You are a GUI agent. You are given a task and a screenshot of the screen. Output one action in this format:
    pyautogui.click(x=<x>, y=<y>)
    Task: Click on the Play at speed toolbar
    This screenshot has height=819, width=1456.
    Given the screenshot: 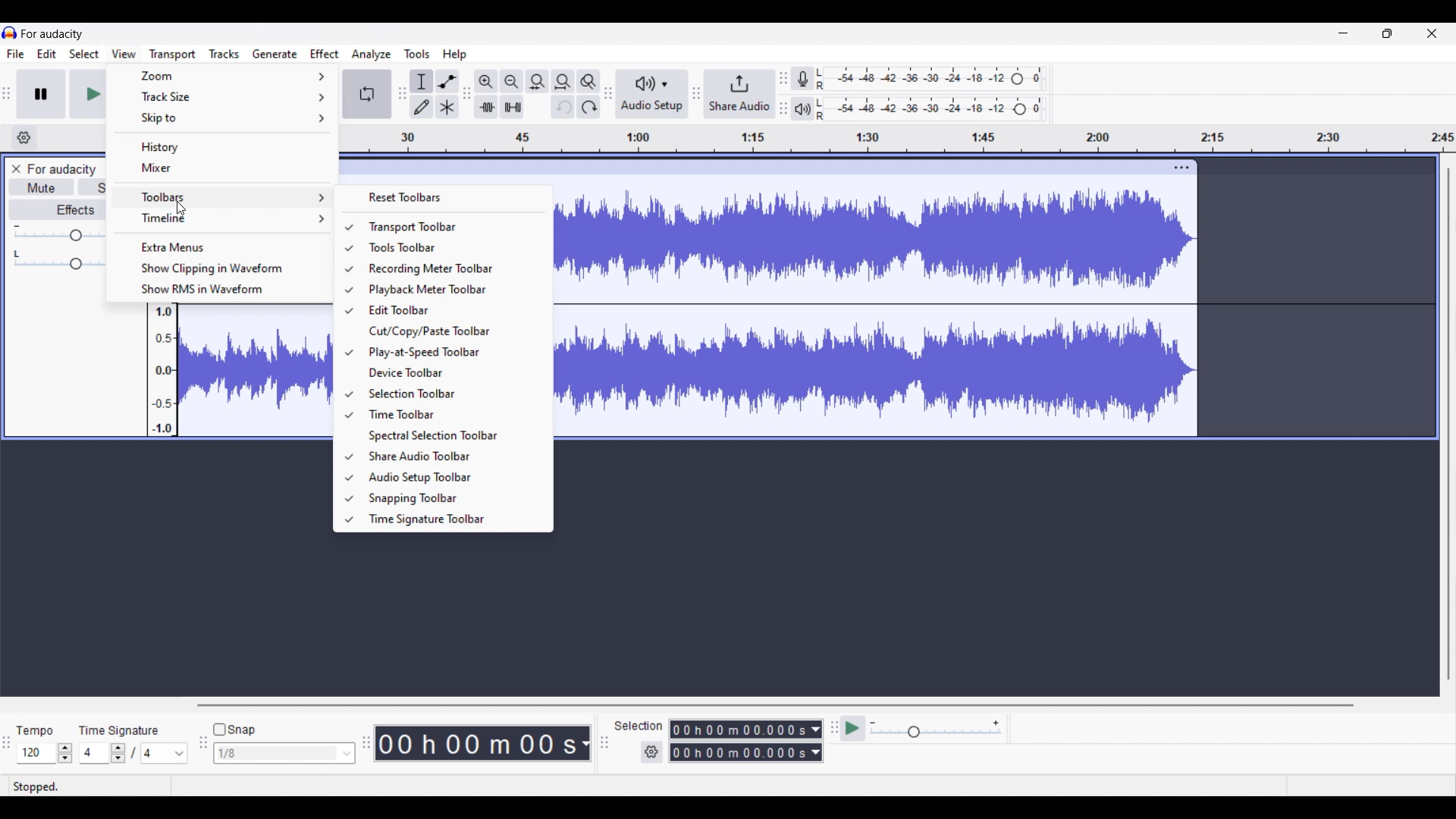 What is the action you would take?
    pyautogui.click(x=452, y=353)
    